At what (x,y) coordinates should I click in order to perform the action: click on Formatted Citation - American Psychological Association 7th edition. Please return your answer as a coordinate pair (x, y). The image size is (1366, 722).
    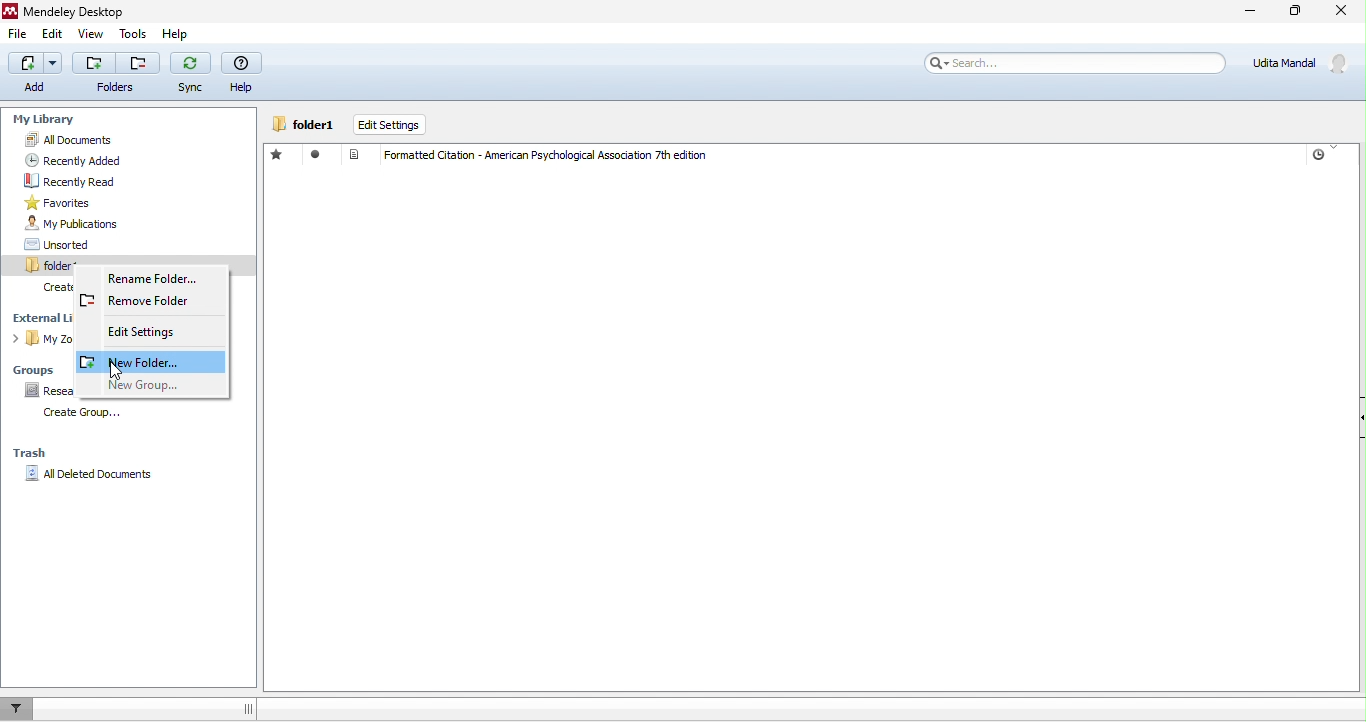
    Looking at the image, I should click on (546, 156).